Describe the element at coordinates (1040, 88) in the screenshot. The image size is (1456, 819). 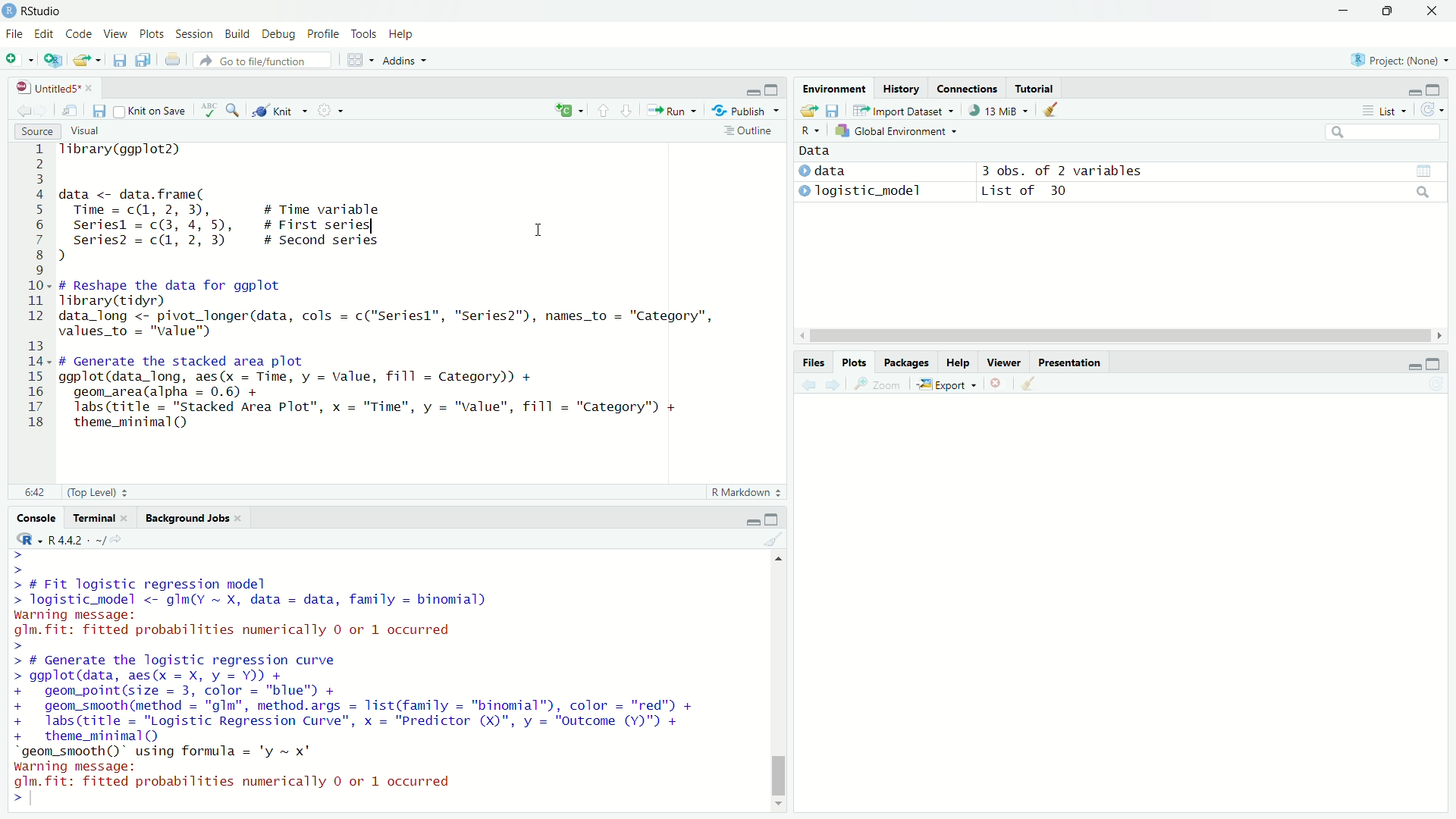
I see `Tutorial` at that location.